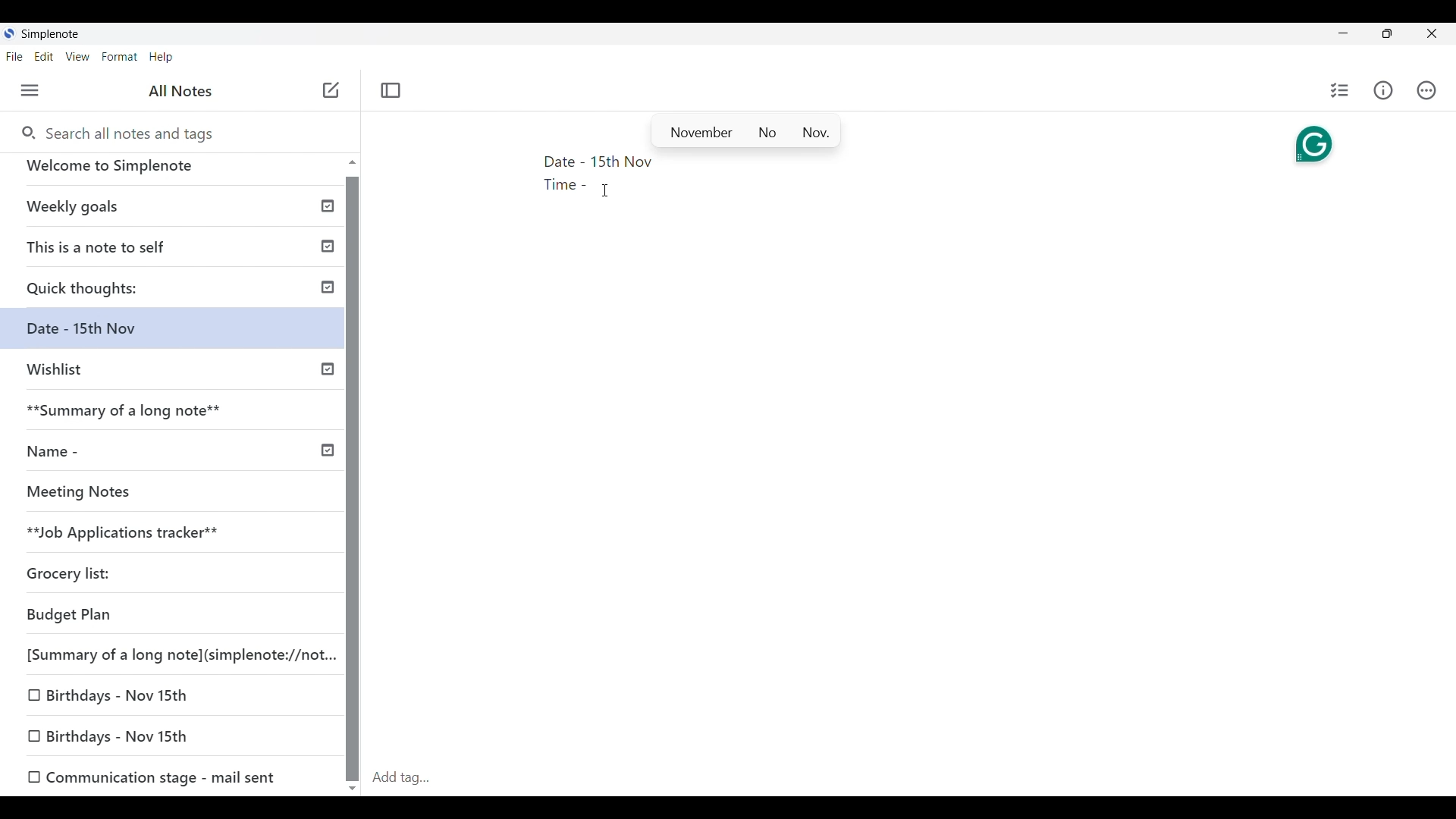 Image resolution: width=1456 pixels, height=819 pixels. I want to click on Click to type in tags, so click(910, 779).